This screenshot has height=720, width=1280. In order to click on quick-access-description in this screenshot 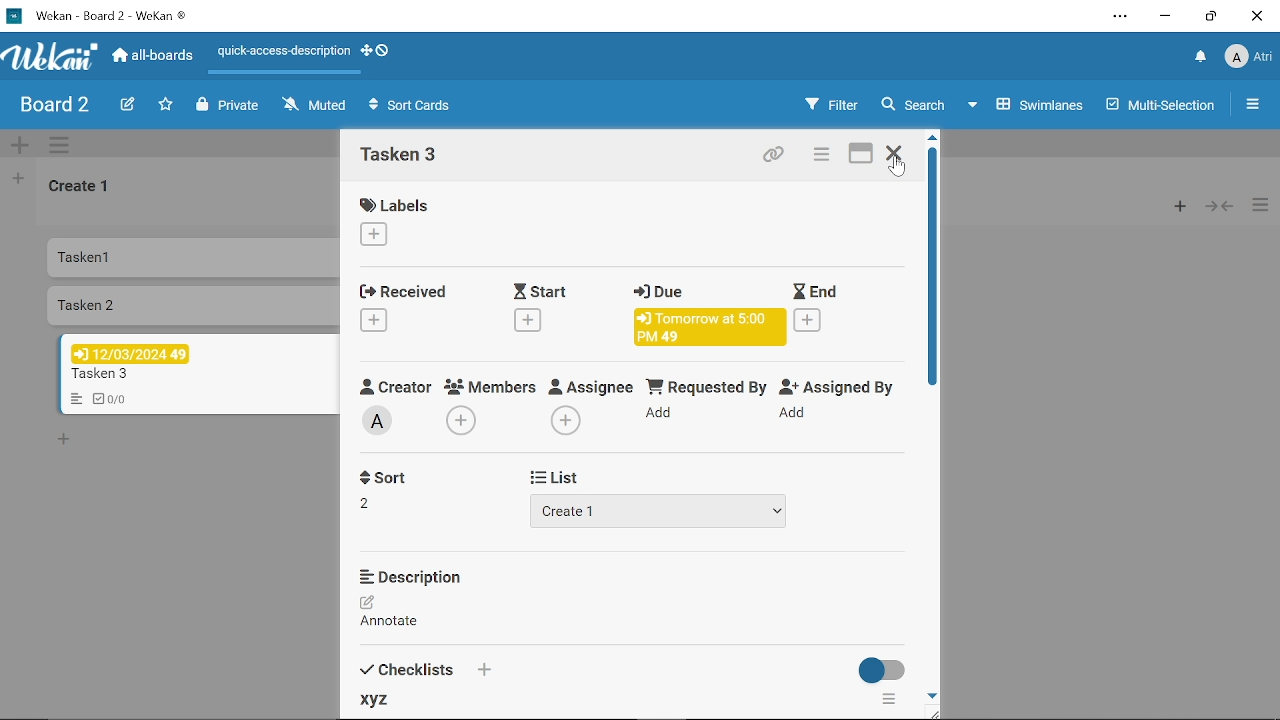, I will do `click(305, 52)`.